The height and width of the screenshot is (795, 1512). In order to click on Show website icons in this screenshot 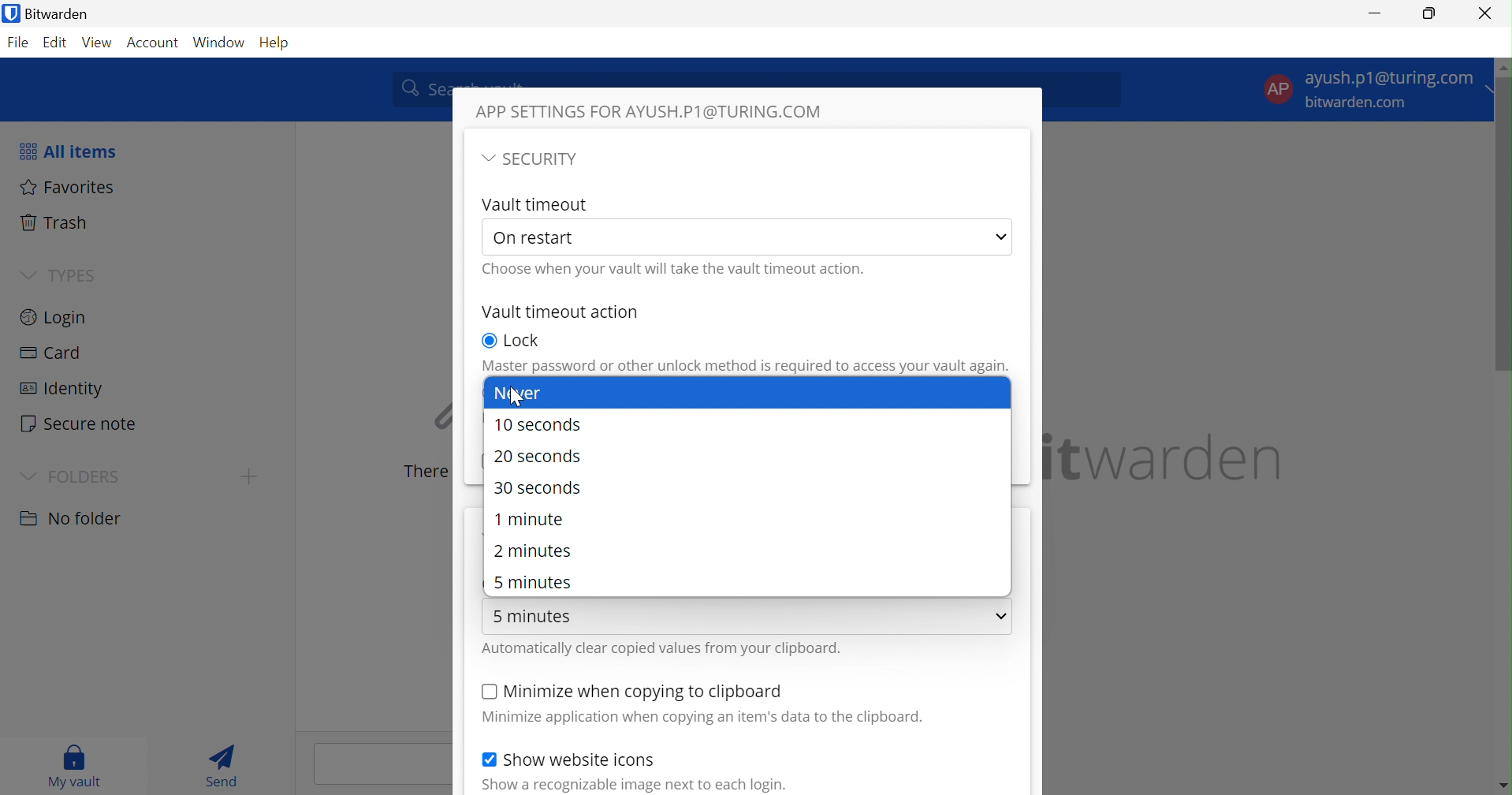, I will do `click(581, 760)`.